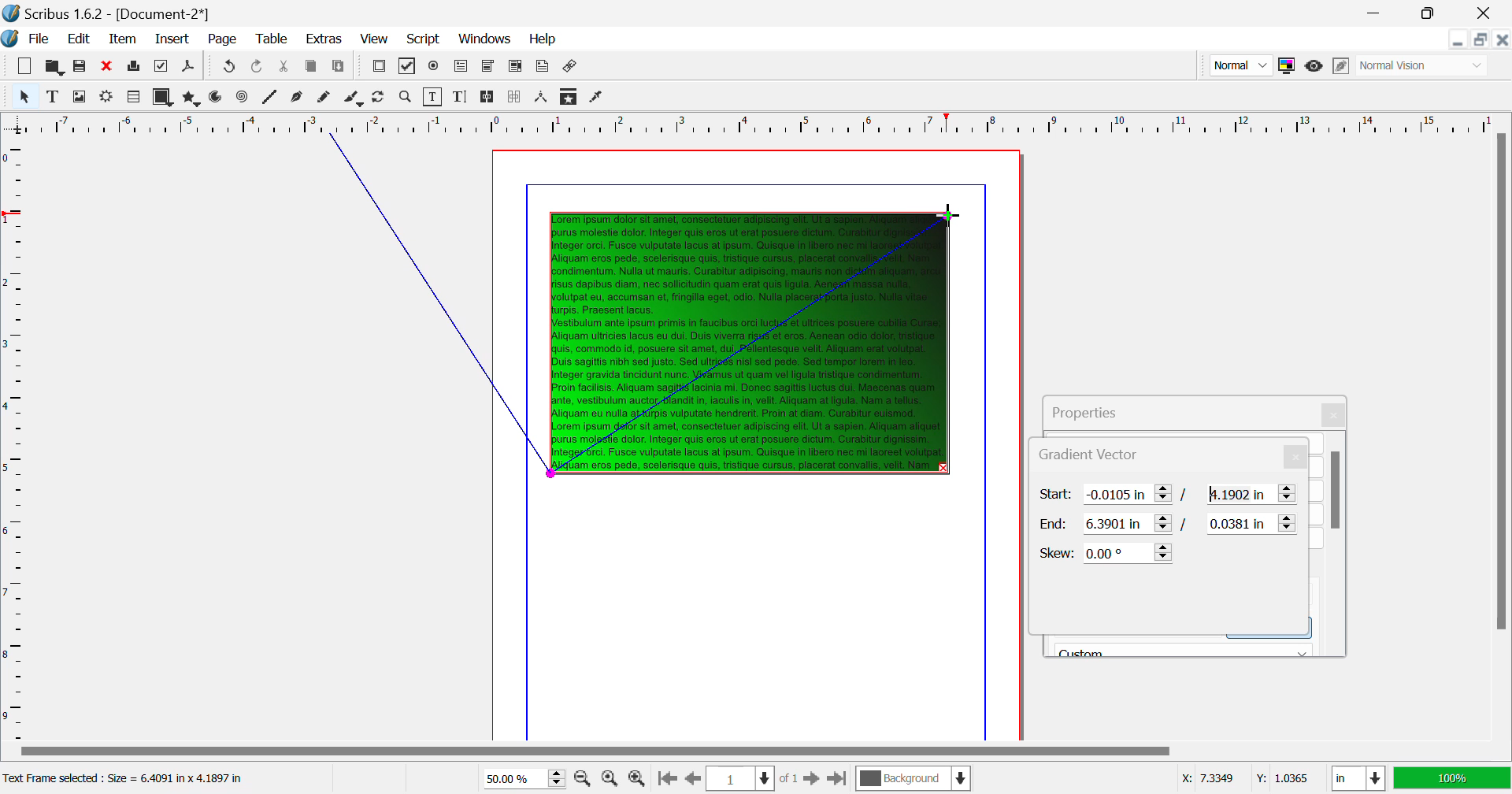 Image resolution: width=1512 pixels, height=794 pixels. Describe the element at coordinates (227, 68) in the screenshot. I see `Redo` at that location.